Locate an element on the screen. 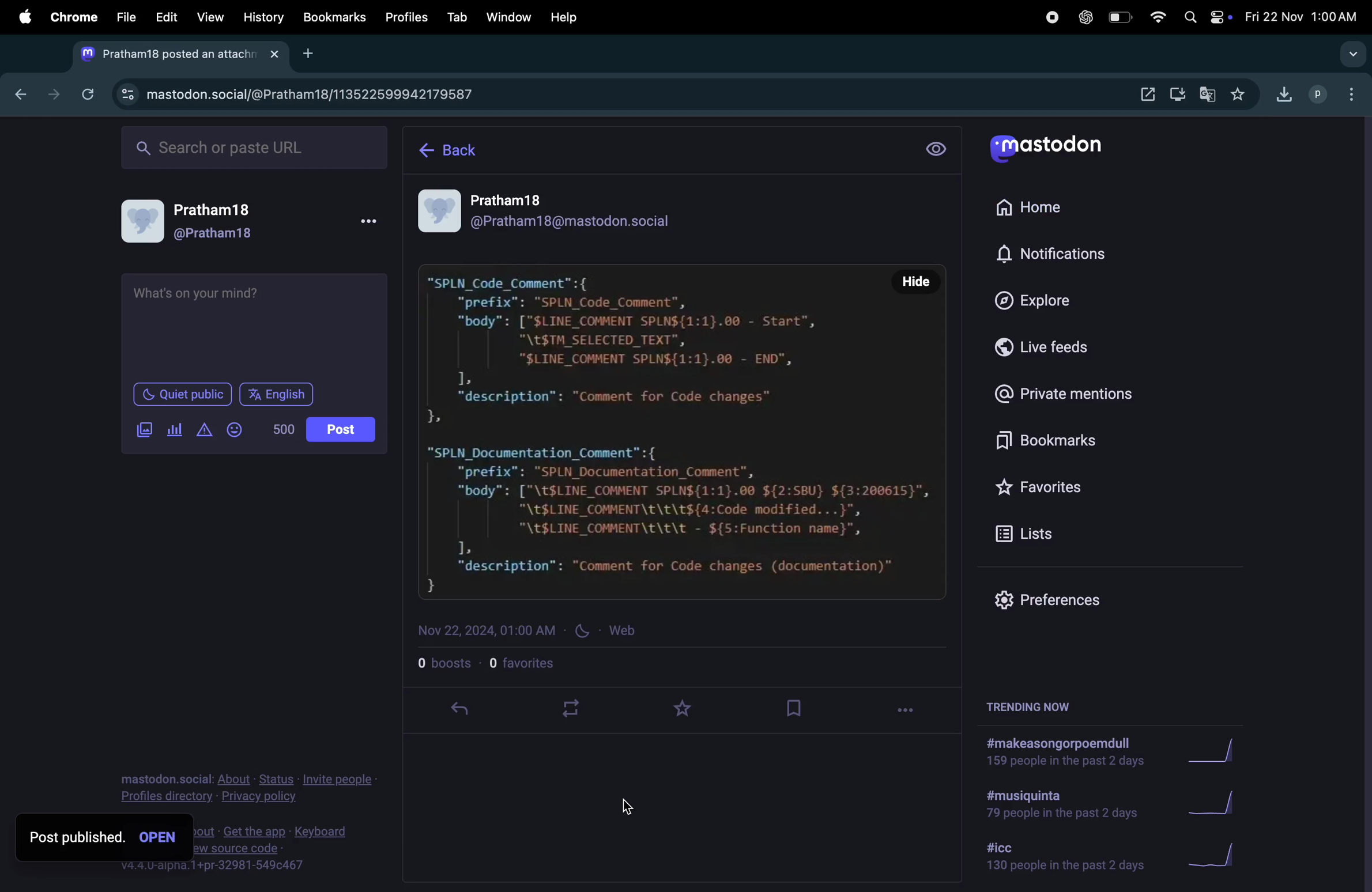 This screenshot has width=1372, height=892. download is located at coordinates (1281, 95).